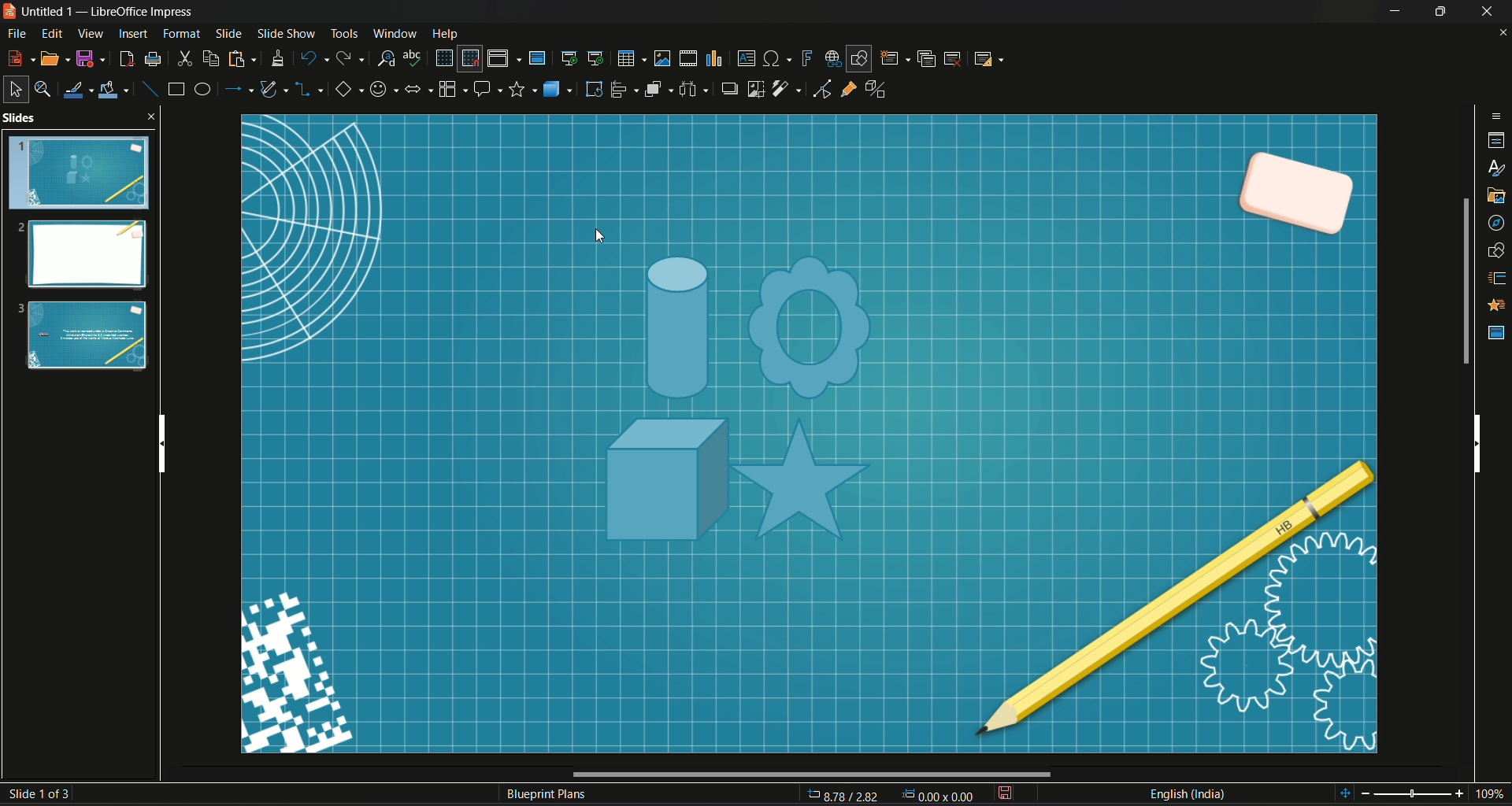 The height and width of the screenshot is (806, 1512). Describe the element at coordinates (239, 59) in the screenshot. I see `paste` at that location.